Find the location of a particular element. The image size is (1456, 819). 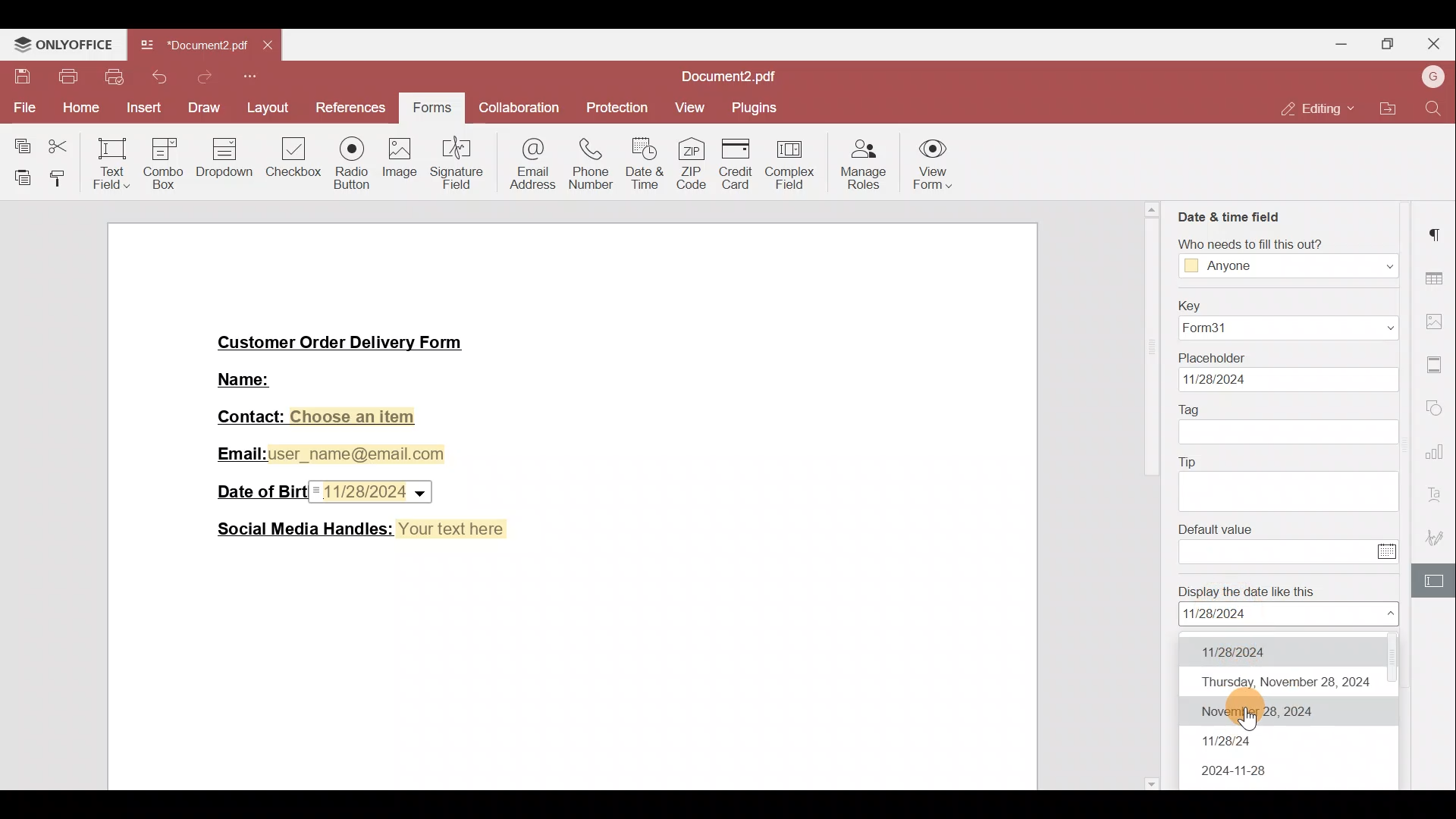

Display the date like this is located at coordinates (1248, 590).